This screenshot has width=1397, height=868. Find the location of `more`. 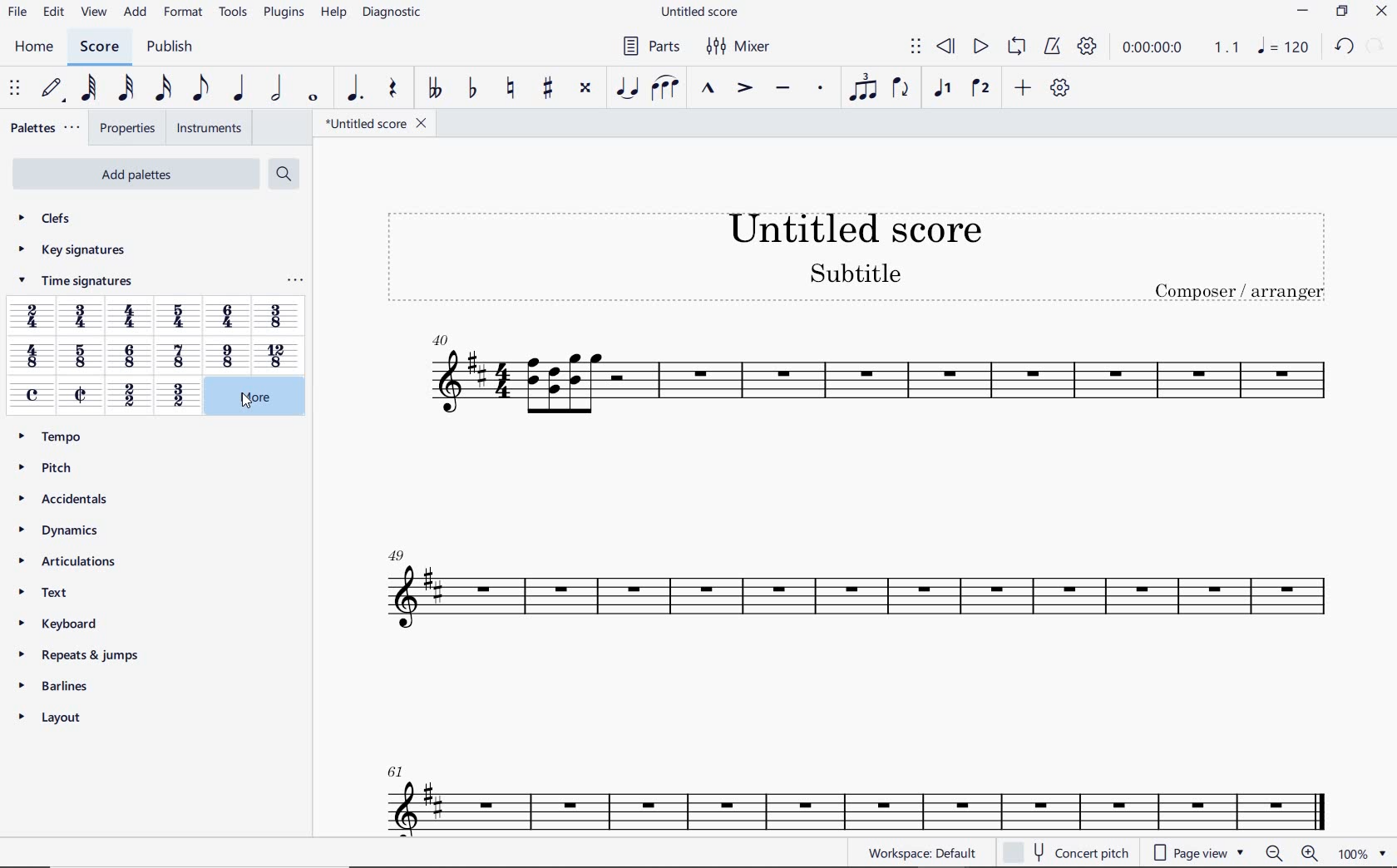

more is located at coordinates (248, 397).